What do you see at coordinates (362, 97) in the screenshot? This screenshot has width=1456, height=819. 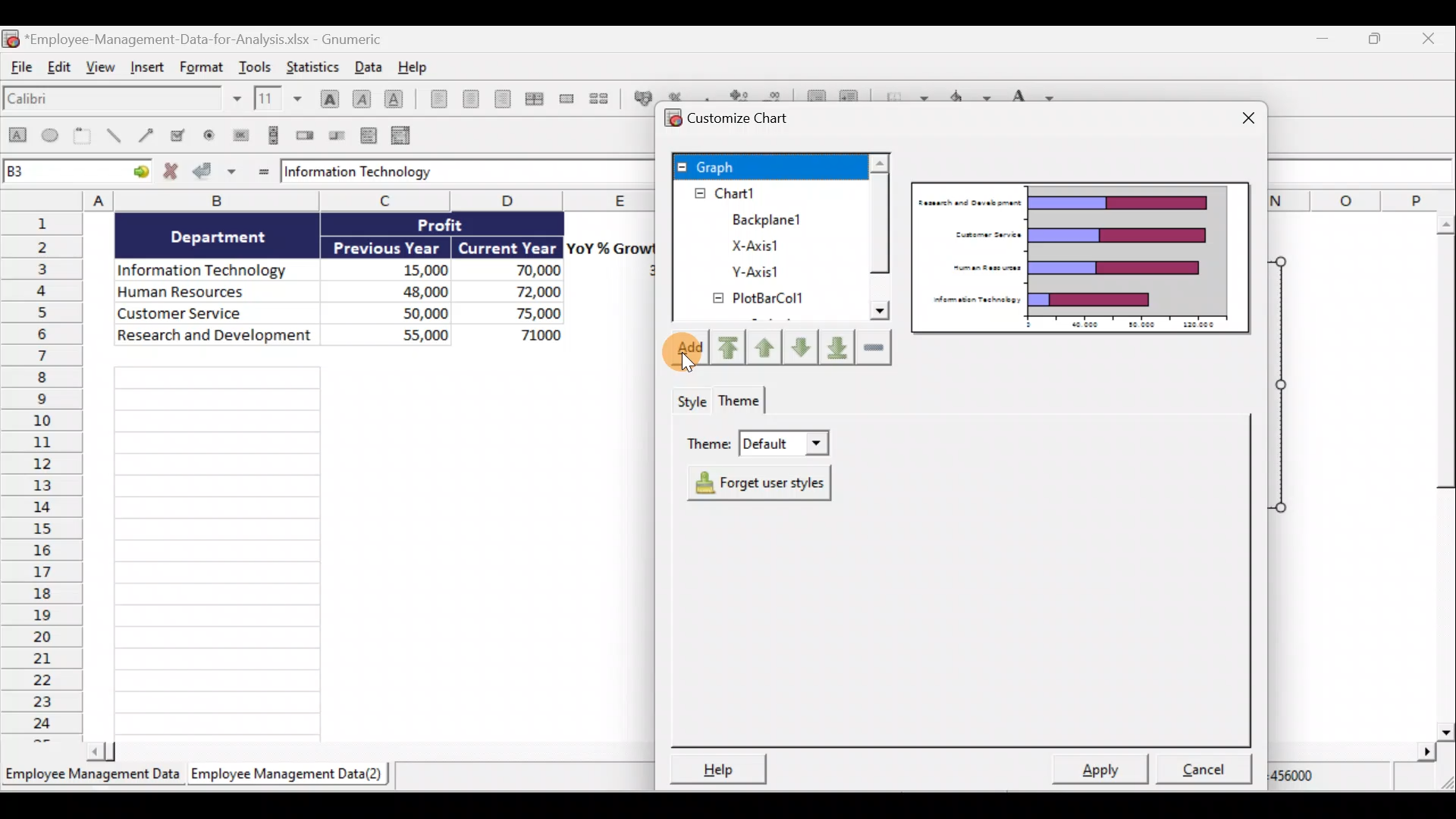 I see `Italic` at bounding box center [362, 97].